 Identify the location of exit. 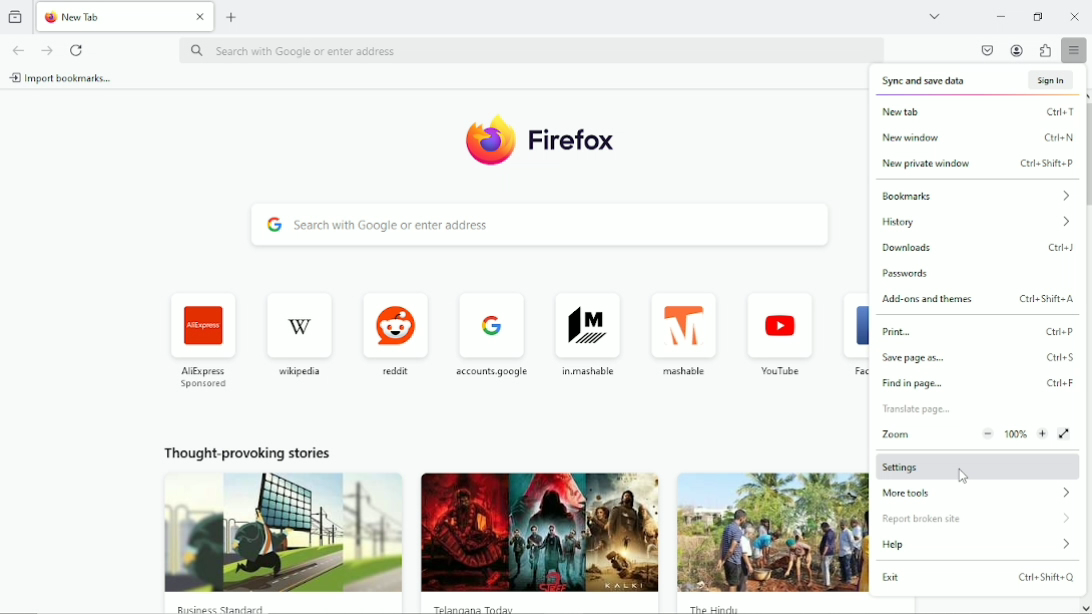
(978, 578).